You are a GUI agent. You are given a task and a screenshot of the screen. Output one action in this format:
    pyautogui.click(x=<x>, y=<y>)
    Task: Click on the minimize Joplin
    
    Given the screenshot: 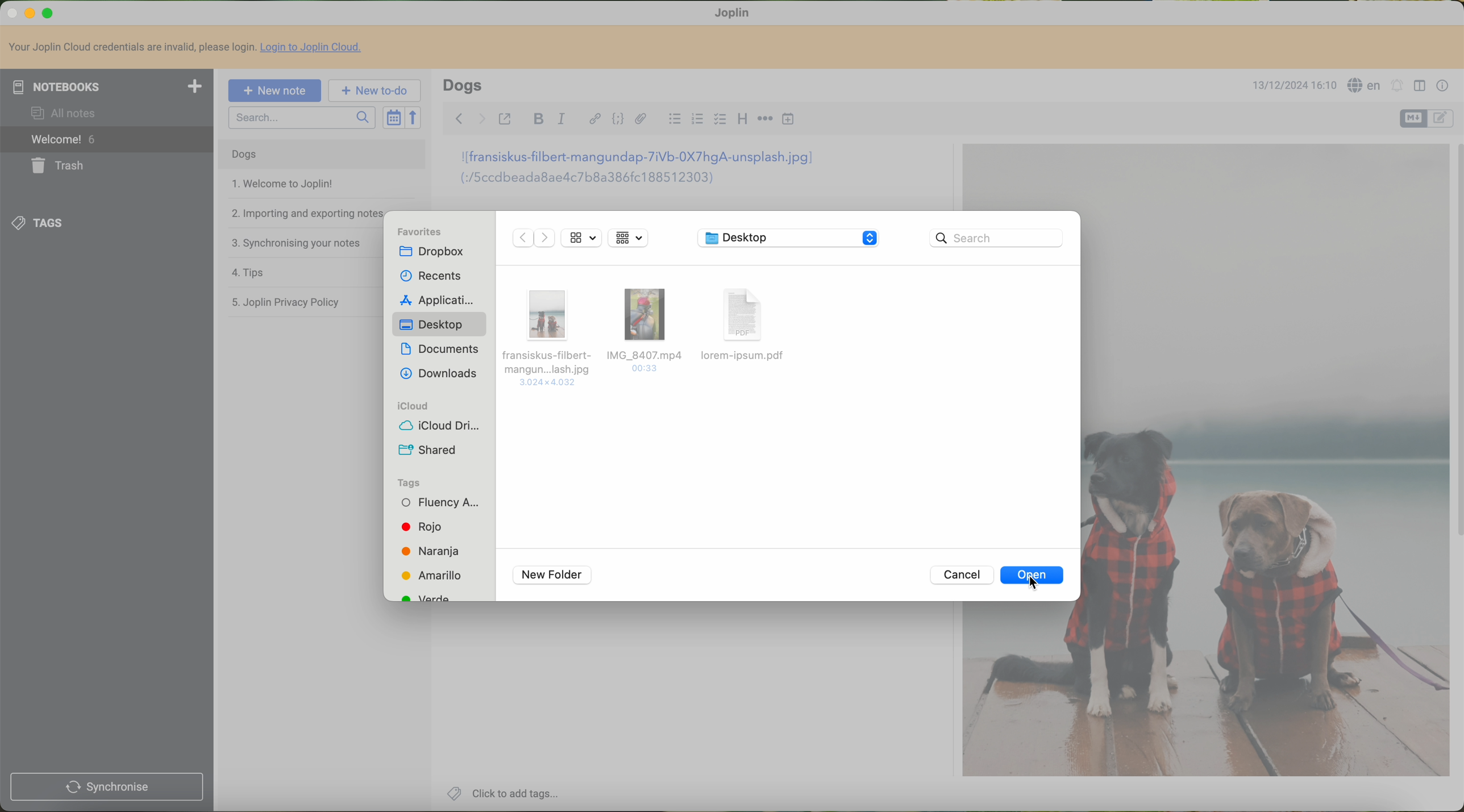 What is the action you would take?
    pyautogui.click(x=30, y=14)
    